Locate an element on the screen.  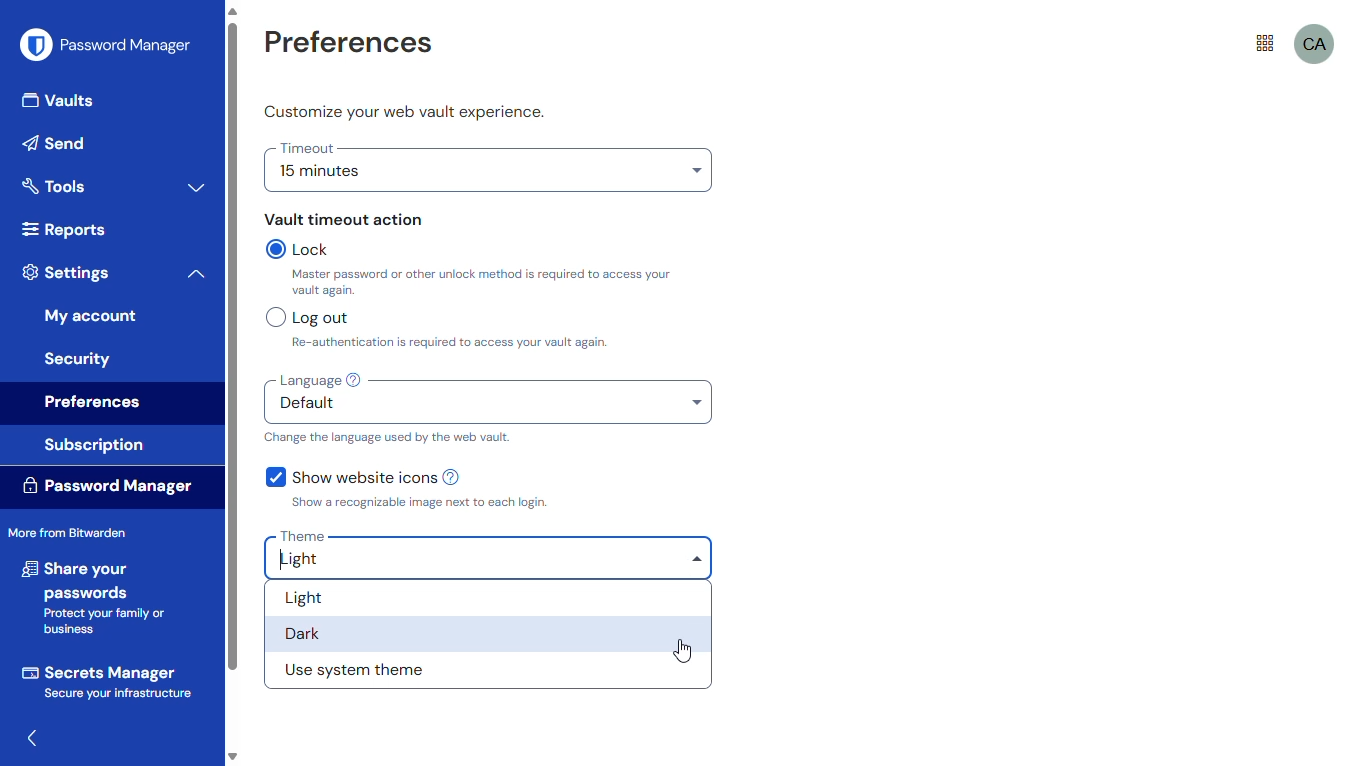
settings is located at coordinates (67, 272).